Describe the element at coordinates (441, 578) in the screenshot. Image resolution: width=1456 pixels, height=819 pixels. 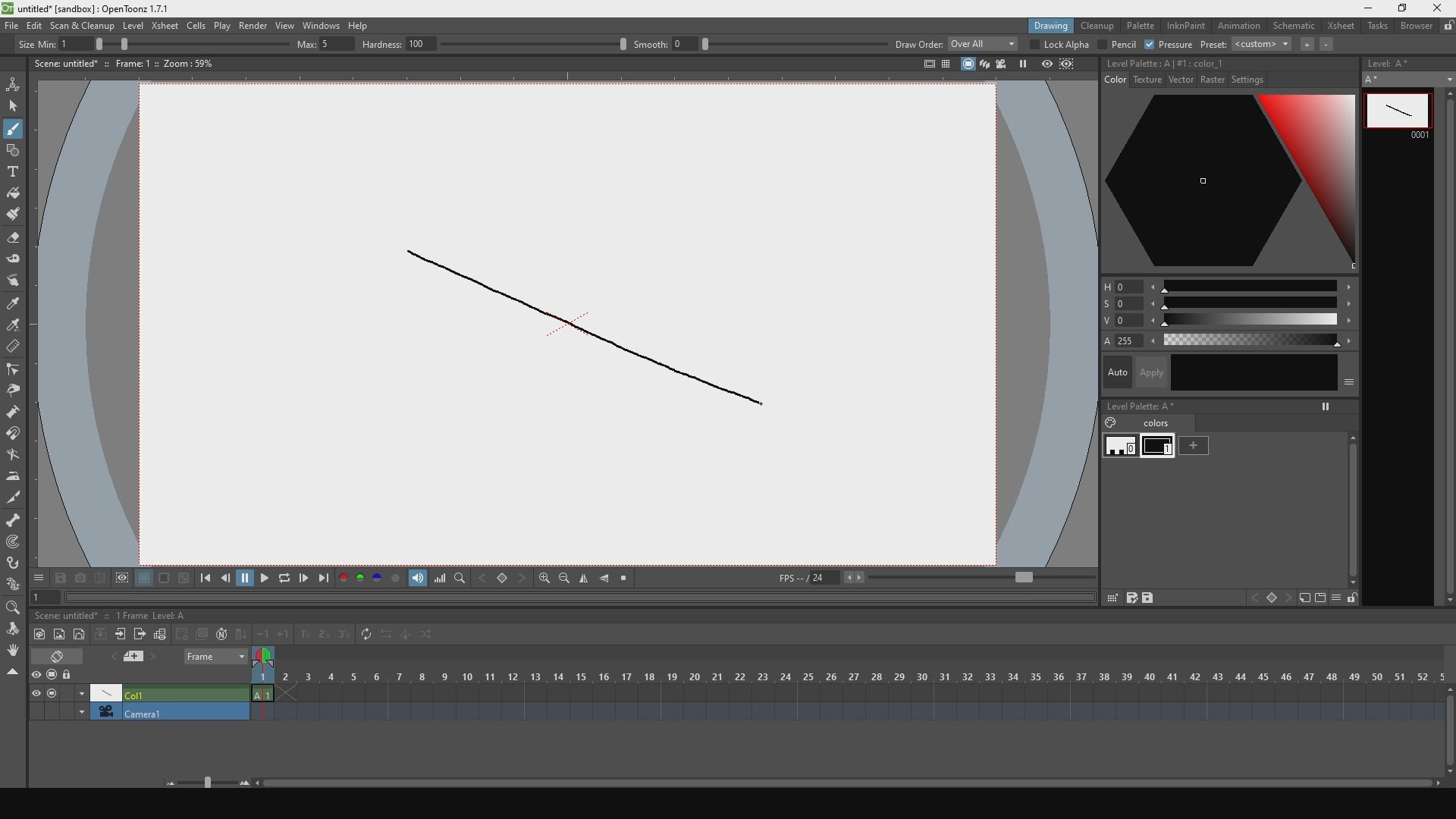
I see `volume` at that location.